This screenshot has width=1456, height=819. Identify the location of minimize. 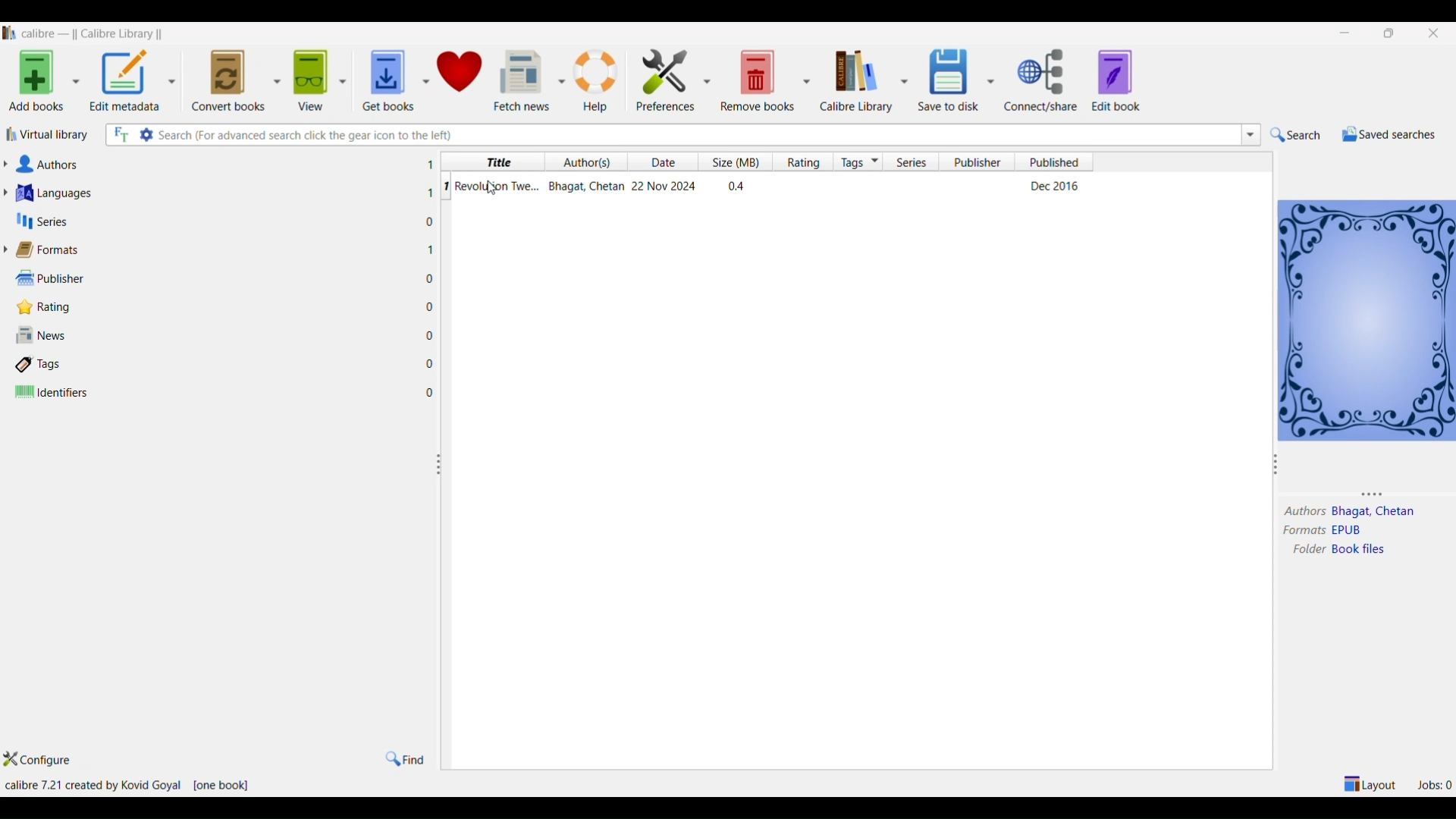
(1348, 33).